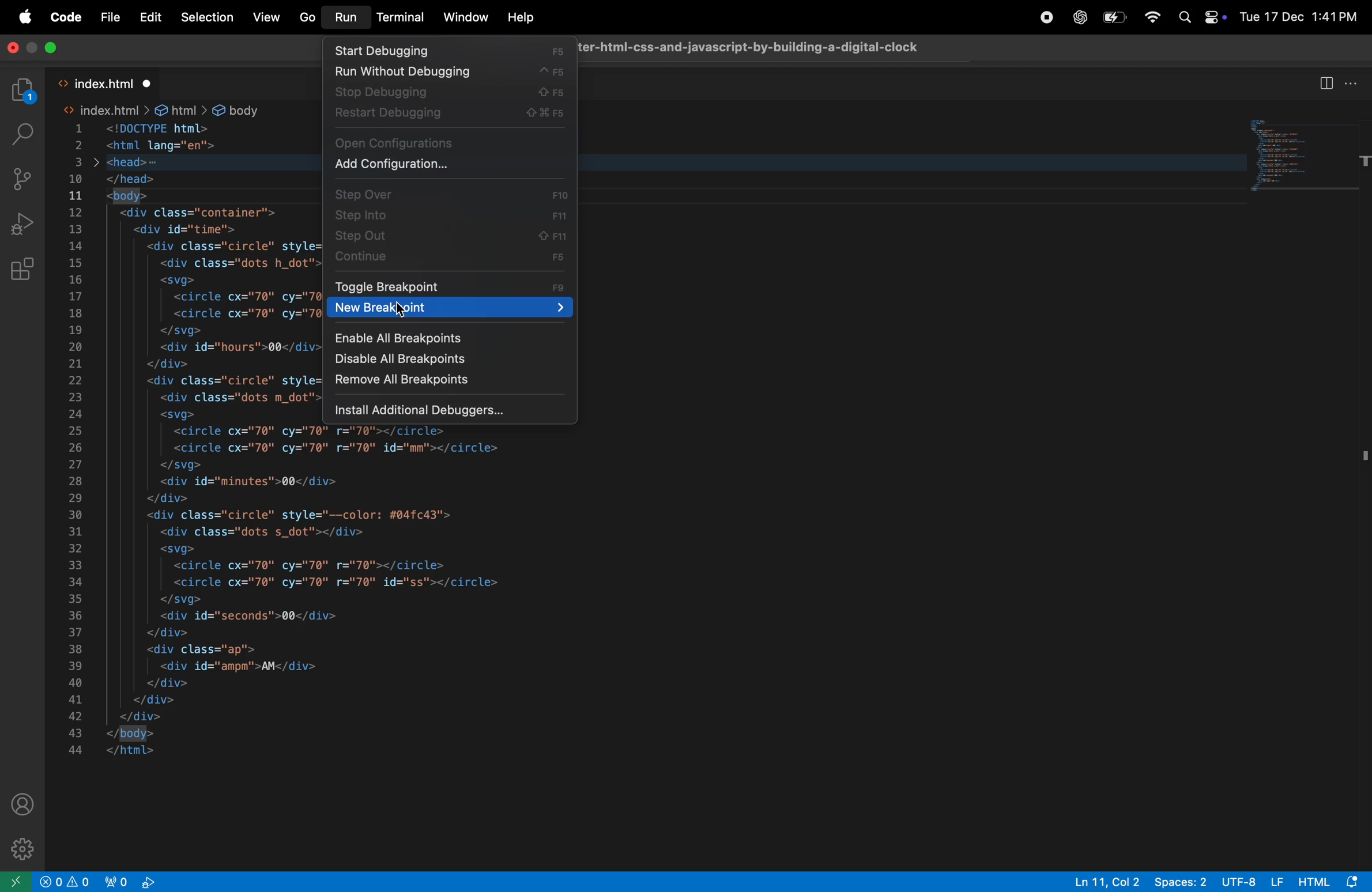 Image resolution: width=1372 pixels, height=892 pixels. Describe the element at coordinates (447, 93) in the screenshot. I see `stop debugging` at that location.